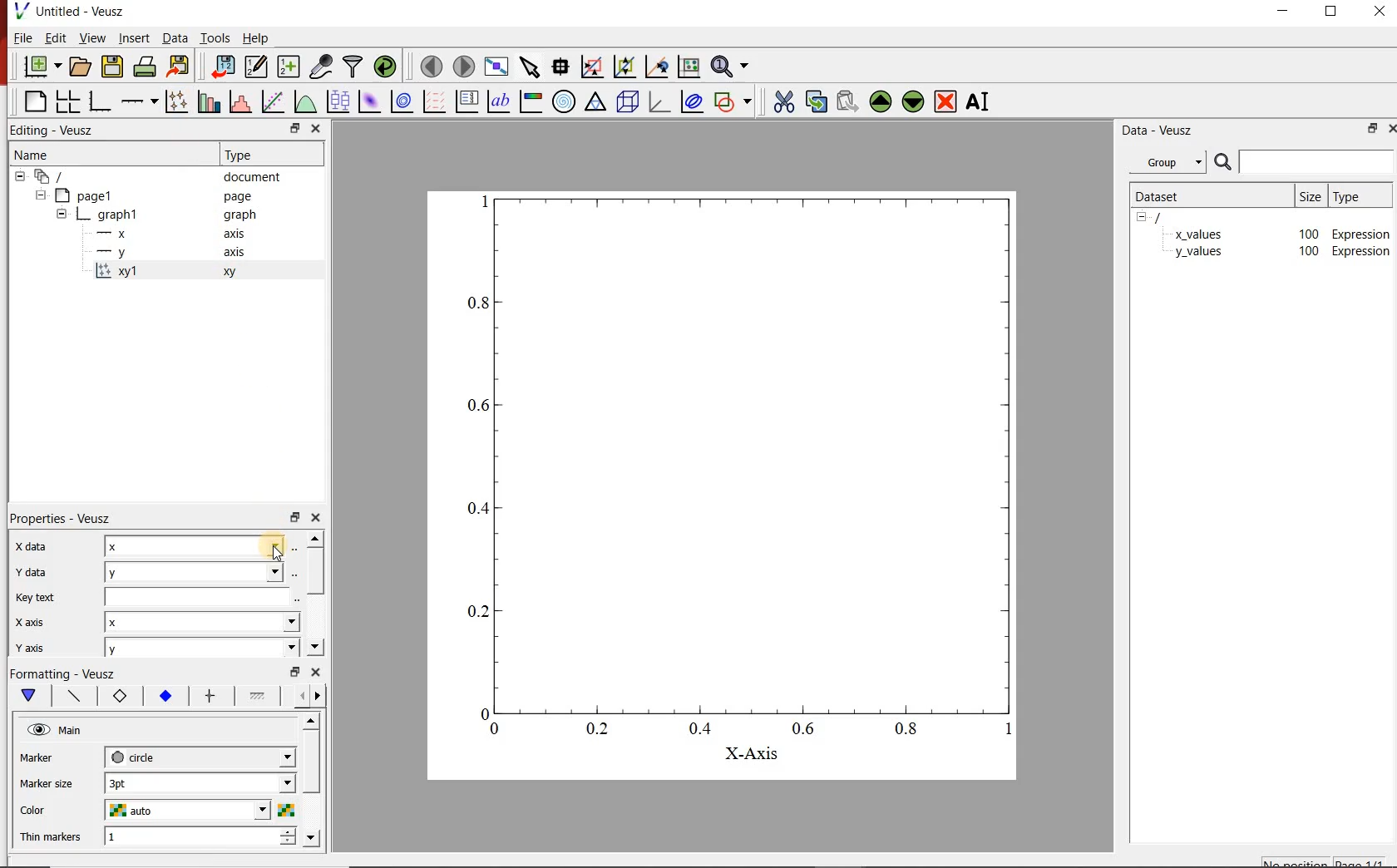 This screenshot has width=1397, height=868. What do you see at coordinates (111, 253) in the screenshot?
I see `—-—y` at bounding box center [111, 253].